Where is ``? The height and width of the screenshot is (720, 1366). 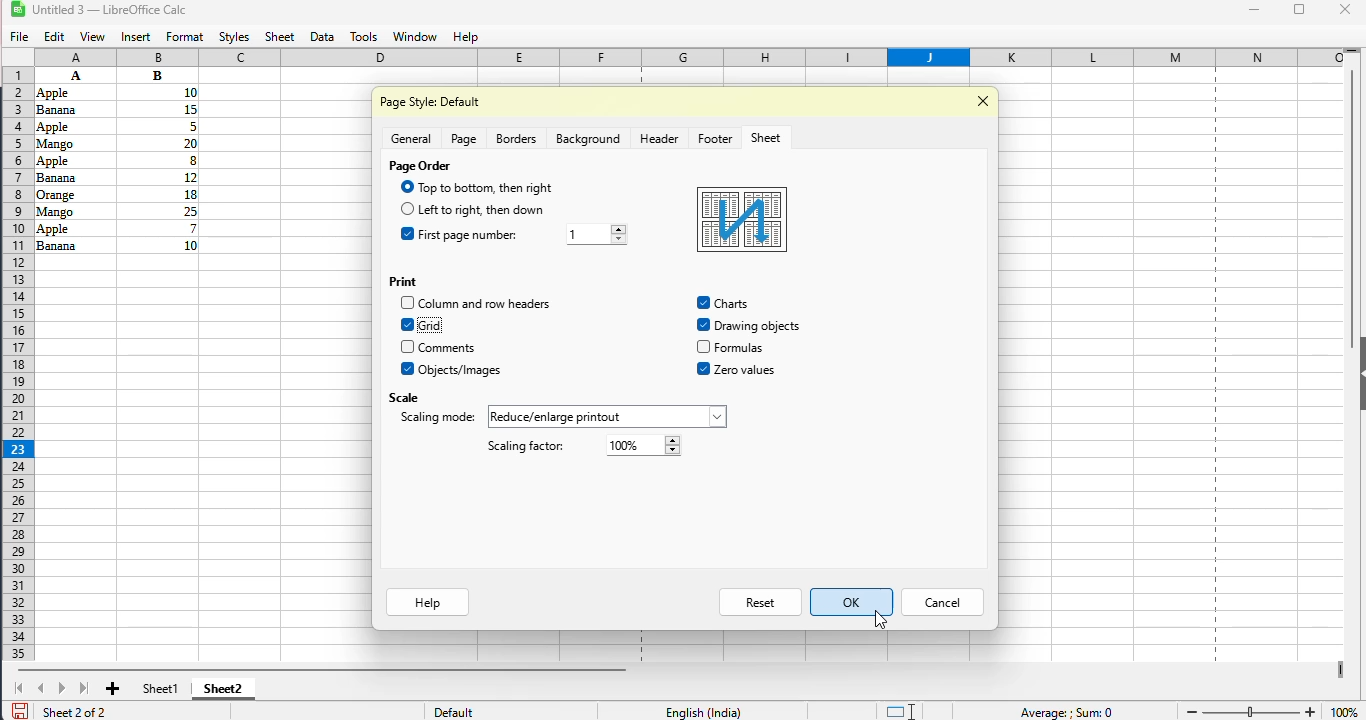  is located at coordinates (406, 234).